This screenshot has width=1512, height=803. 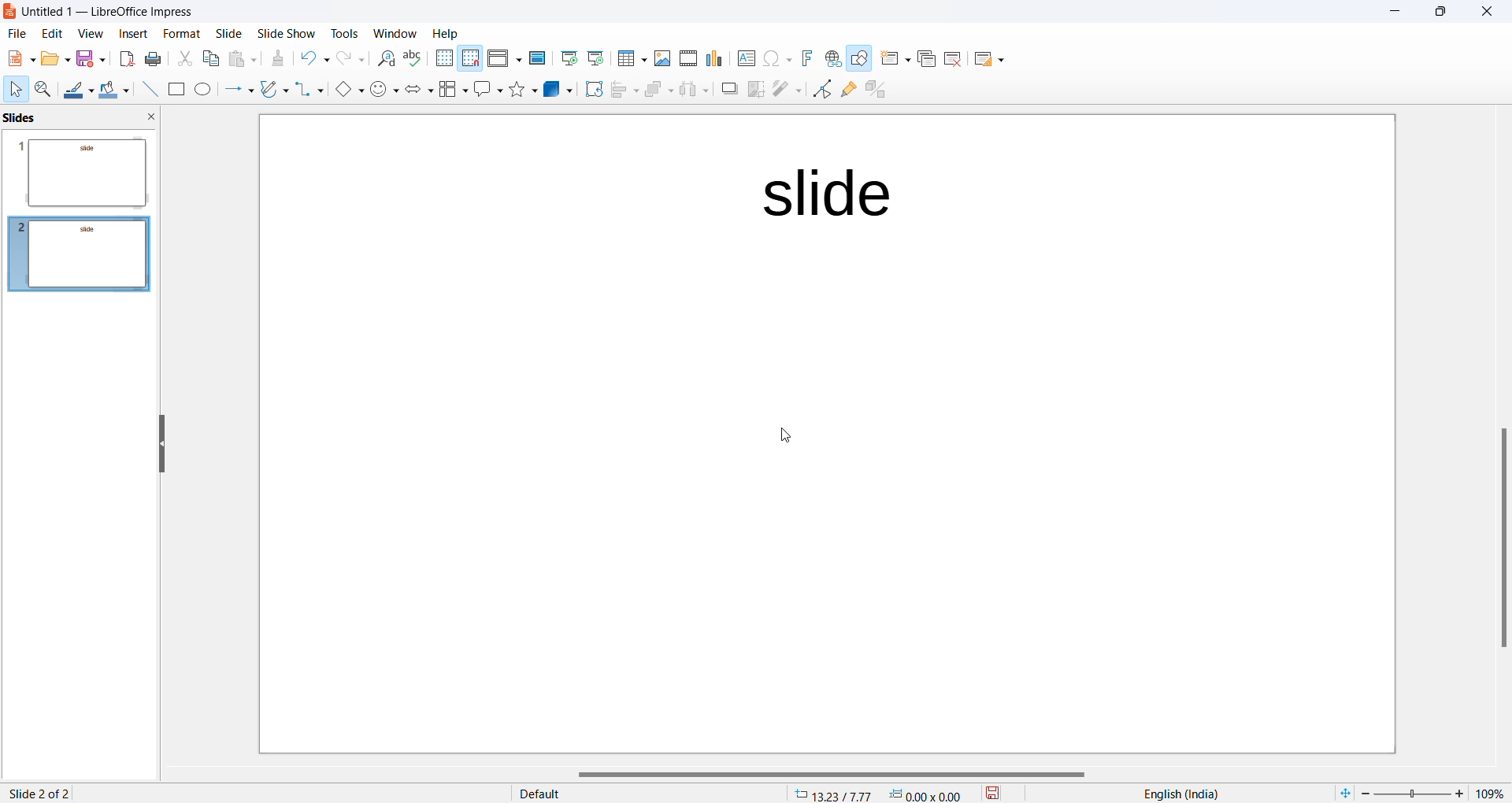 I want to click on Show draw function, so click(x=859, y=60).